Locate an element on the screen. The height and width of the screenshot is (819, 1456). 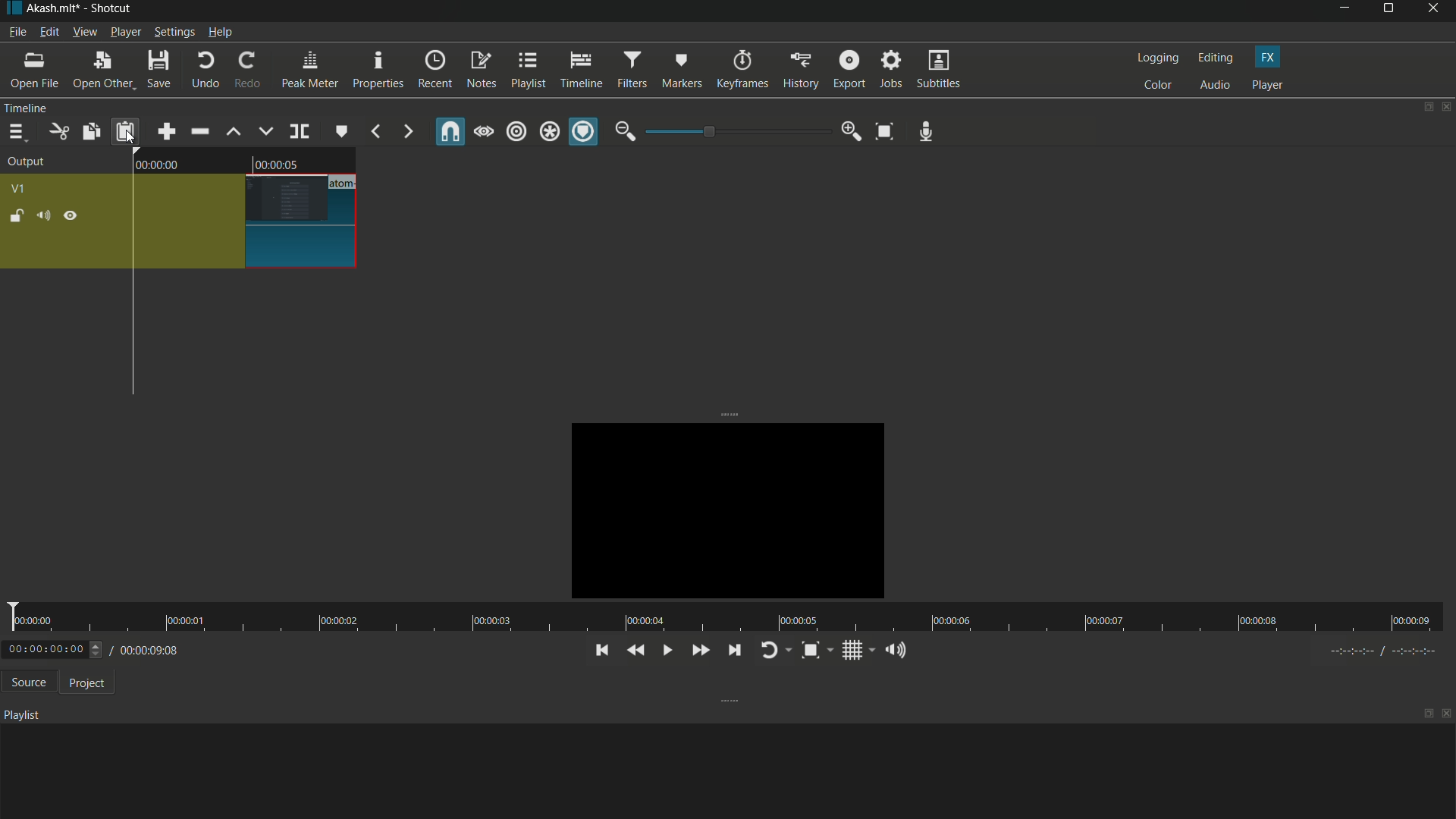
zoom out is located at coordinates (625, 131).